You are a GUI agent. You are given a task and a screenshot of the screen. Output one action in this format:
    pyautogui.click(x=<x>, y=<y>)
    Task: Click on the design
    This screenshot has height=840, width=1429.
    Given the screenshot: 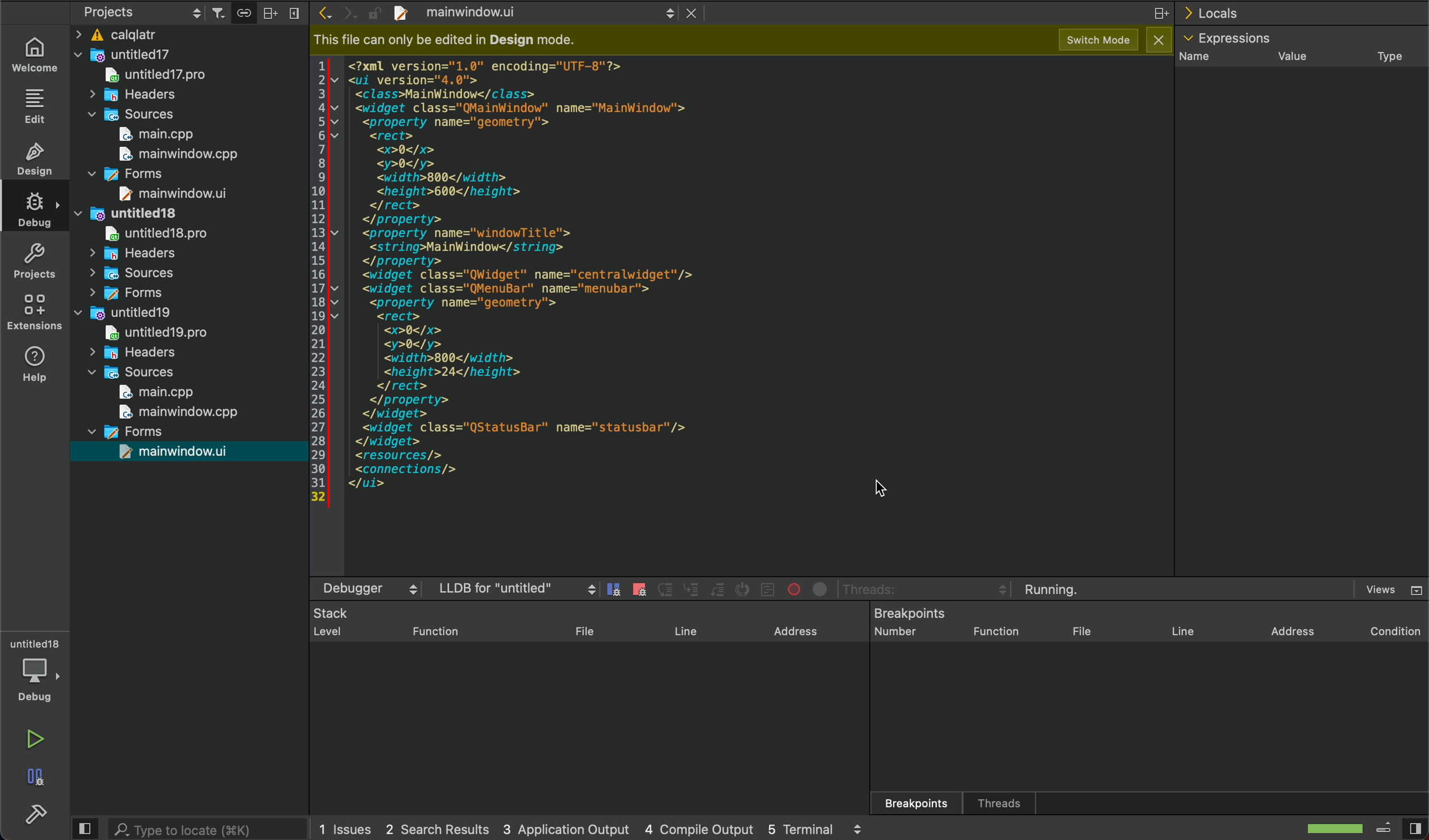 What is the action you would take?
    pyautogui.click(x=36, y=161)
    